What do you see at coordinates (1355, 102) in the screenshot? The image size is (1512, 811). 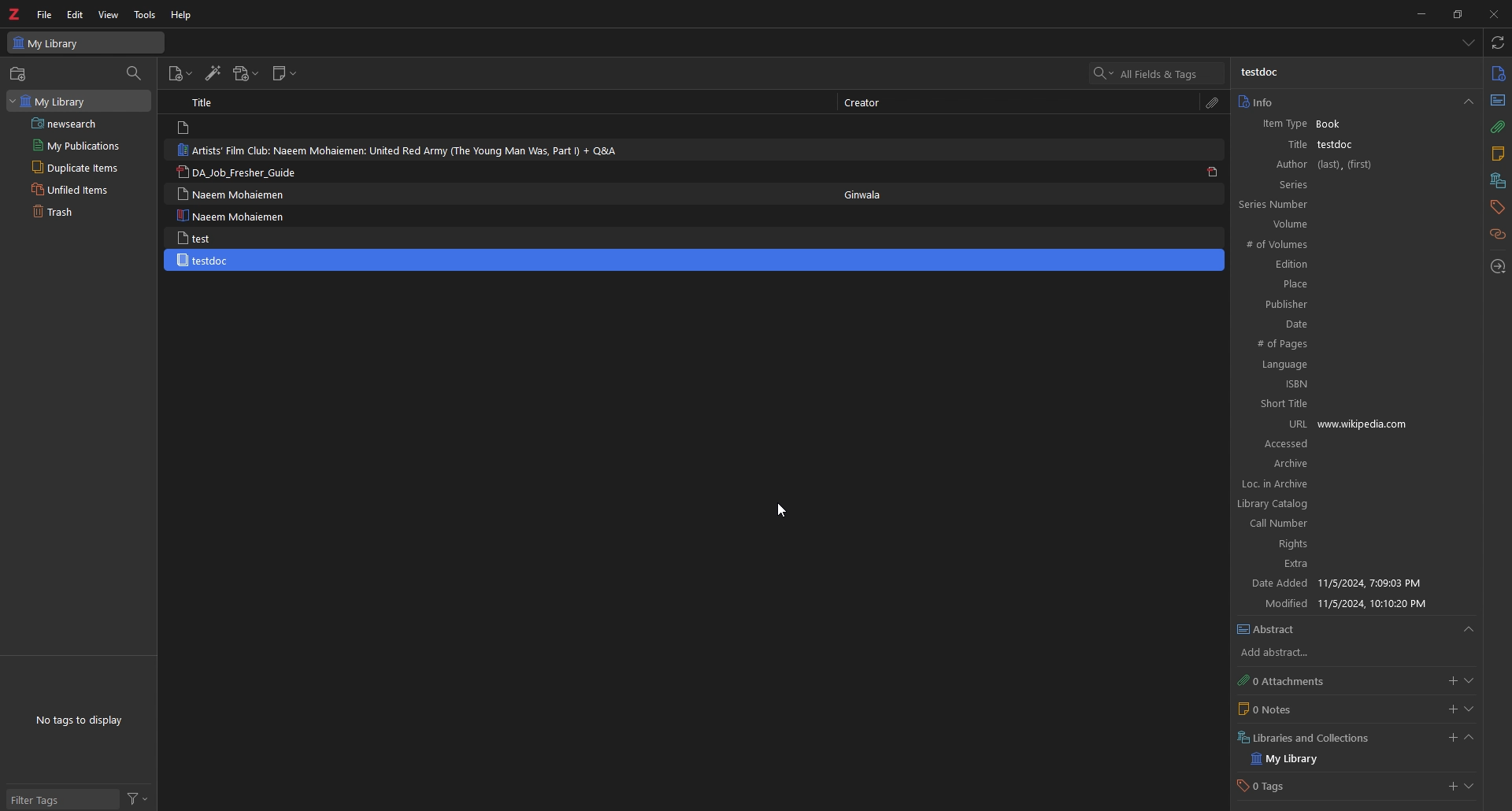 I see `info` at bounding box center [1355, 102].